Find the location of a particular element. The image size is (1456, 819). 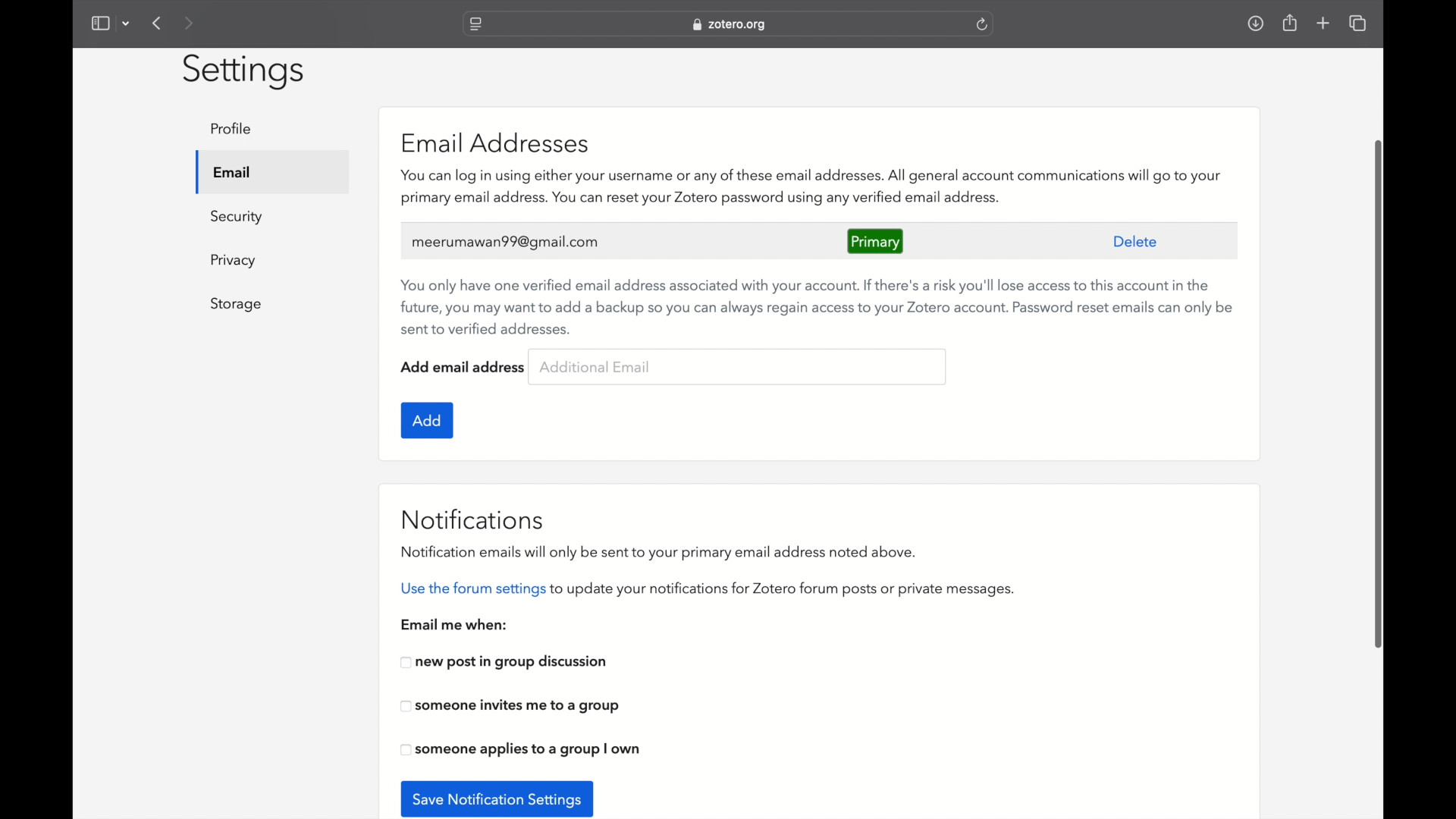

storage is located at coordinates (238, 304).